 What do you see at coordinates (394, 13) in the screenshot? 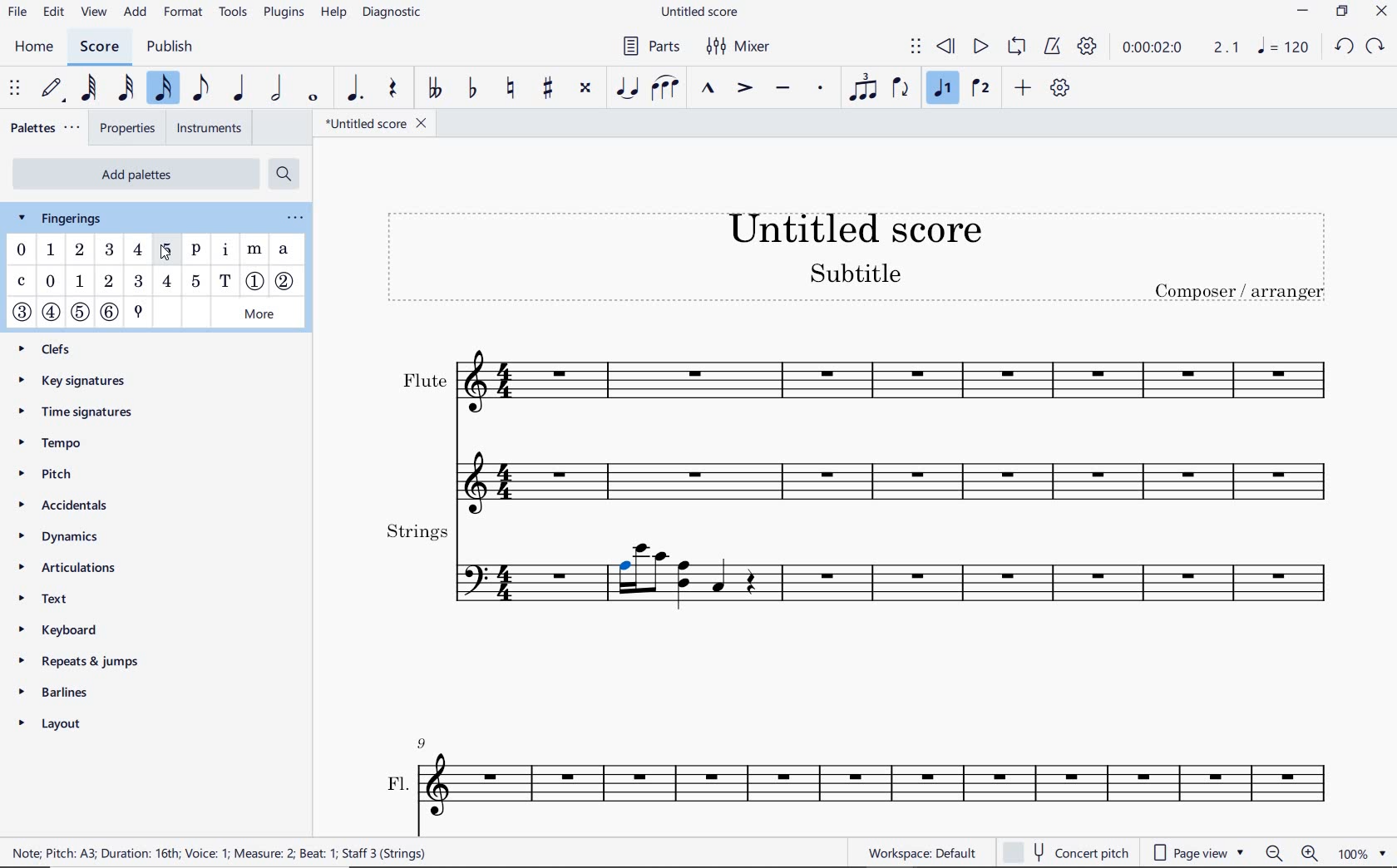
I see `diagnostic` at bounding box center [394, 13].